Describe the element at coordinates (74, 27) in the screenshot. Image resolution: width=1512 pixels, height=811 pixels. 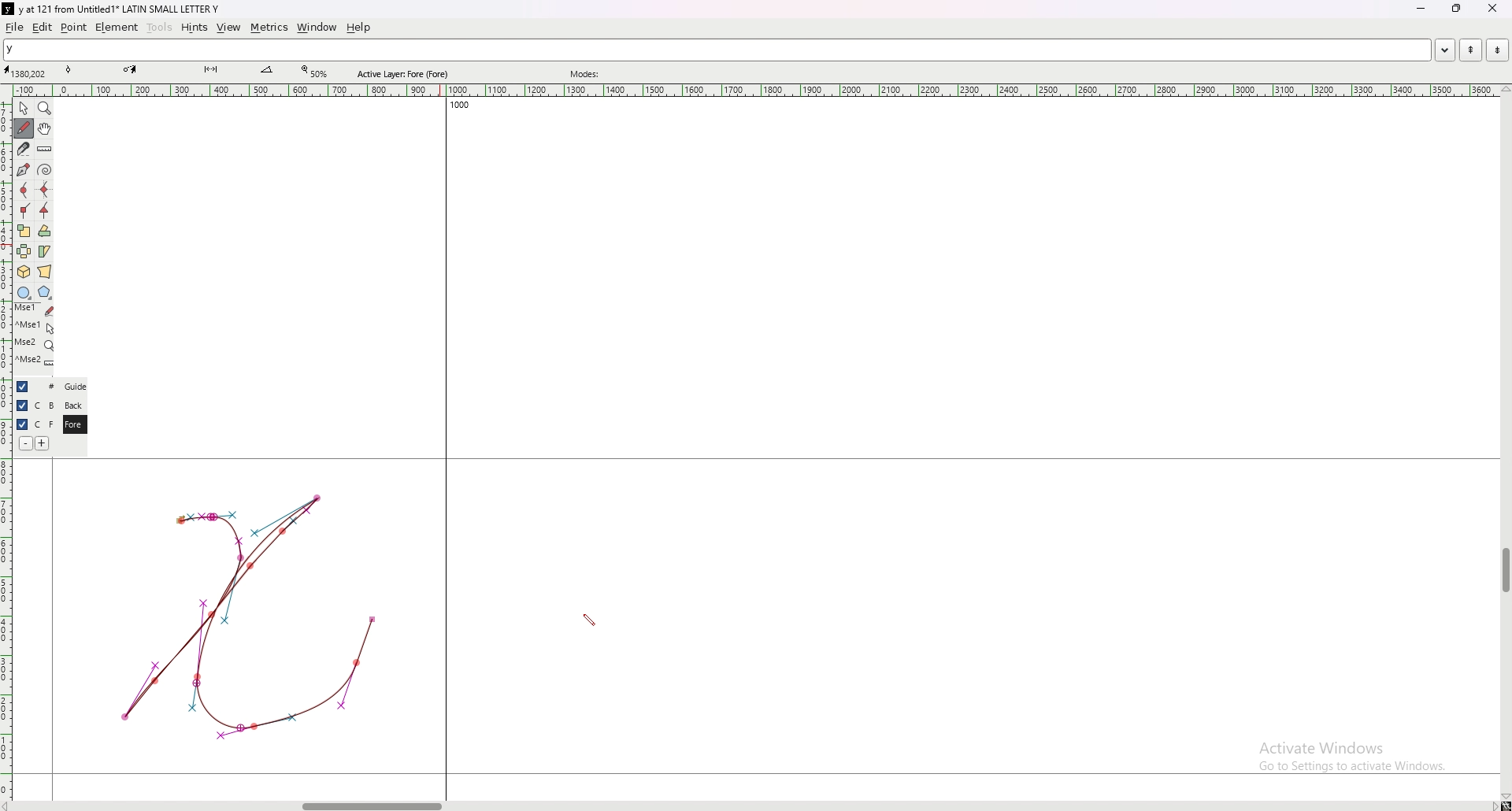
I see `point` at that location.